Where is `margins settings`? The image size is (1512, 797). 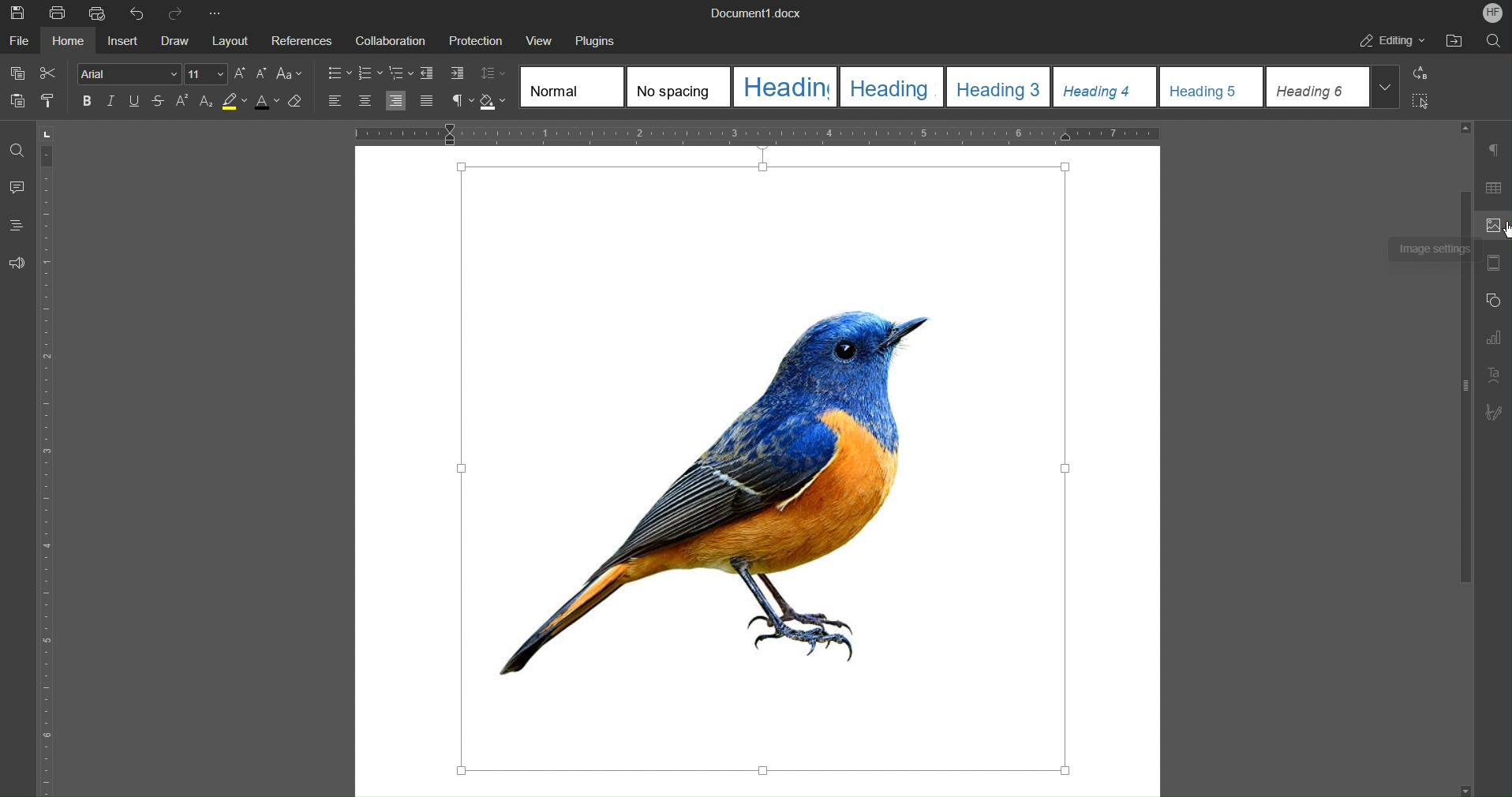
margins settings is located at coordinates (1492, 264).